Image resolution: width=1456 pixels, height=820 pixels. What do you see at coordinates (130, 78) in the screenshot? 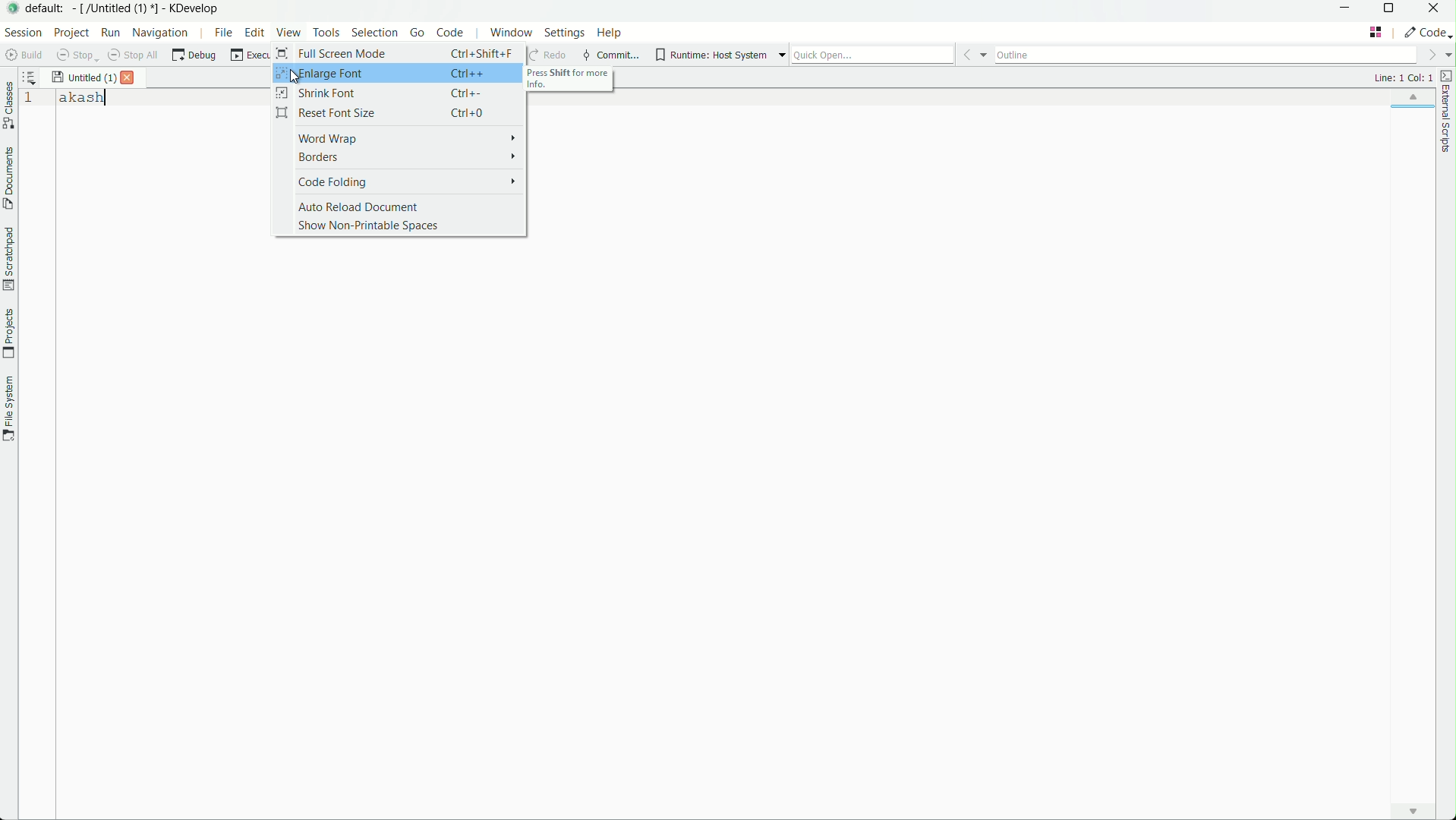
I see `close file` at bounding box center [130, 78].